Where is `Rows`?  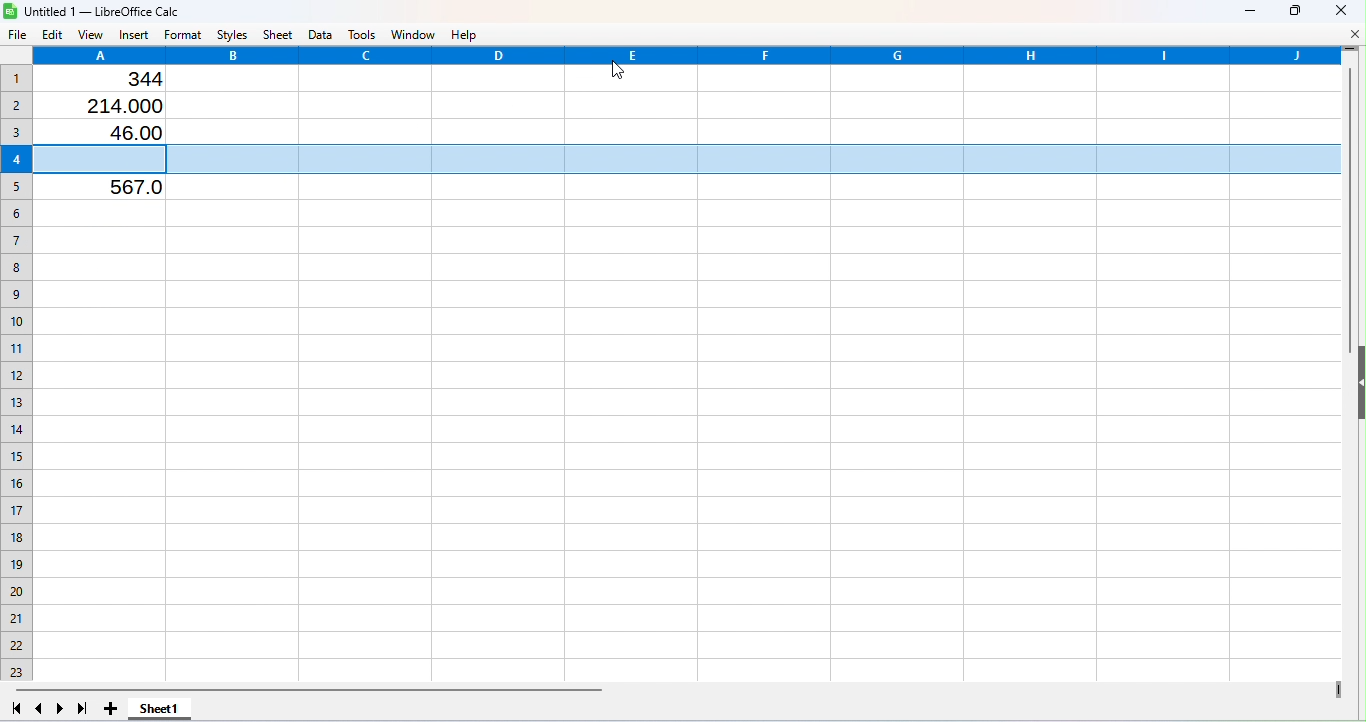
Rows is located at coordinates (17, 368).